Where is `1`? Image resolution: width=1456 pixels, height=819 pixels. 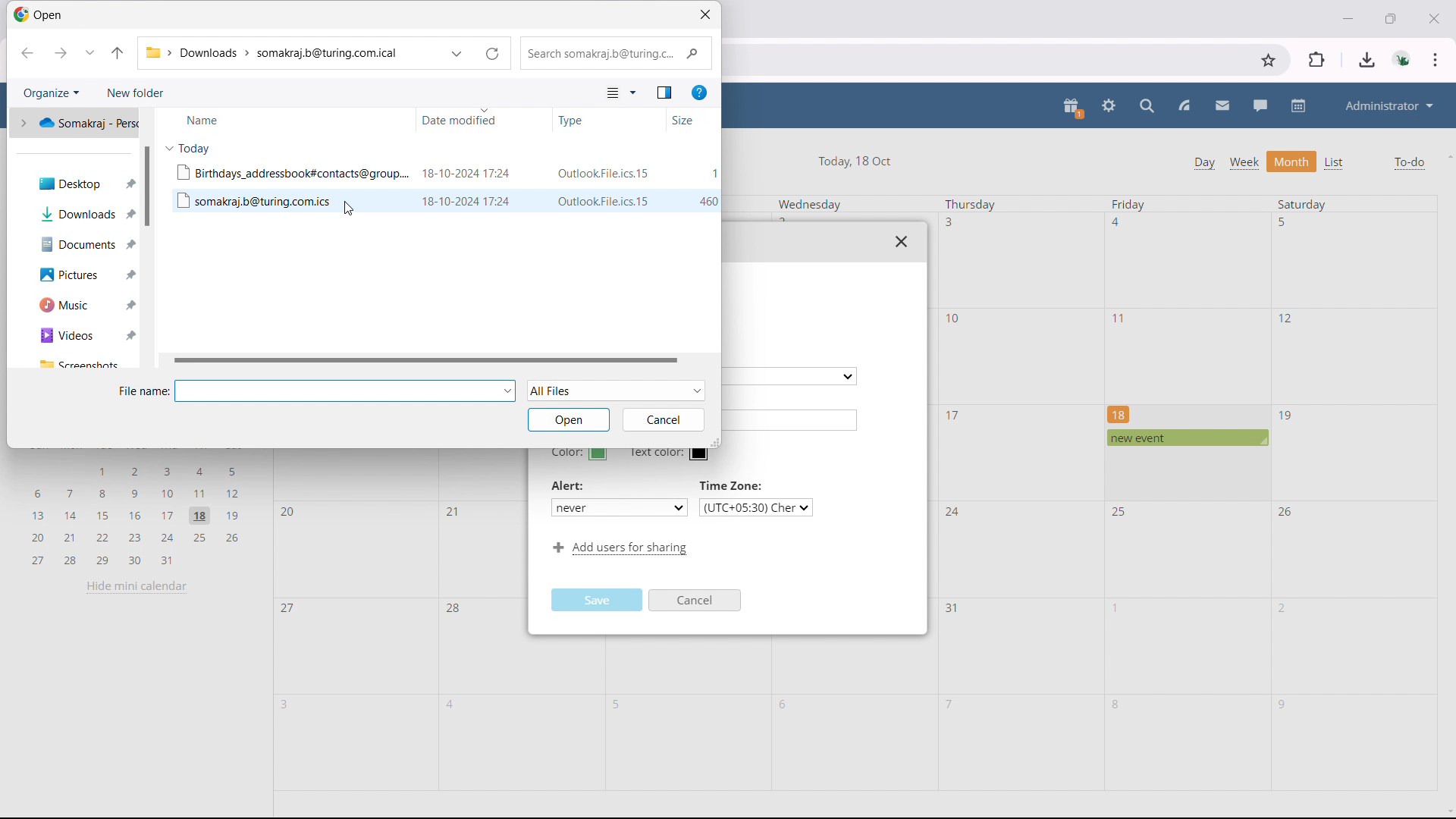 1 is located at coordinates (714, 174).